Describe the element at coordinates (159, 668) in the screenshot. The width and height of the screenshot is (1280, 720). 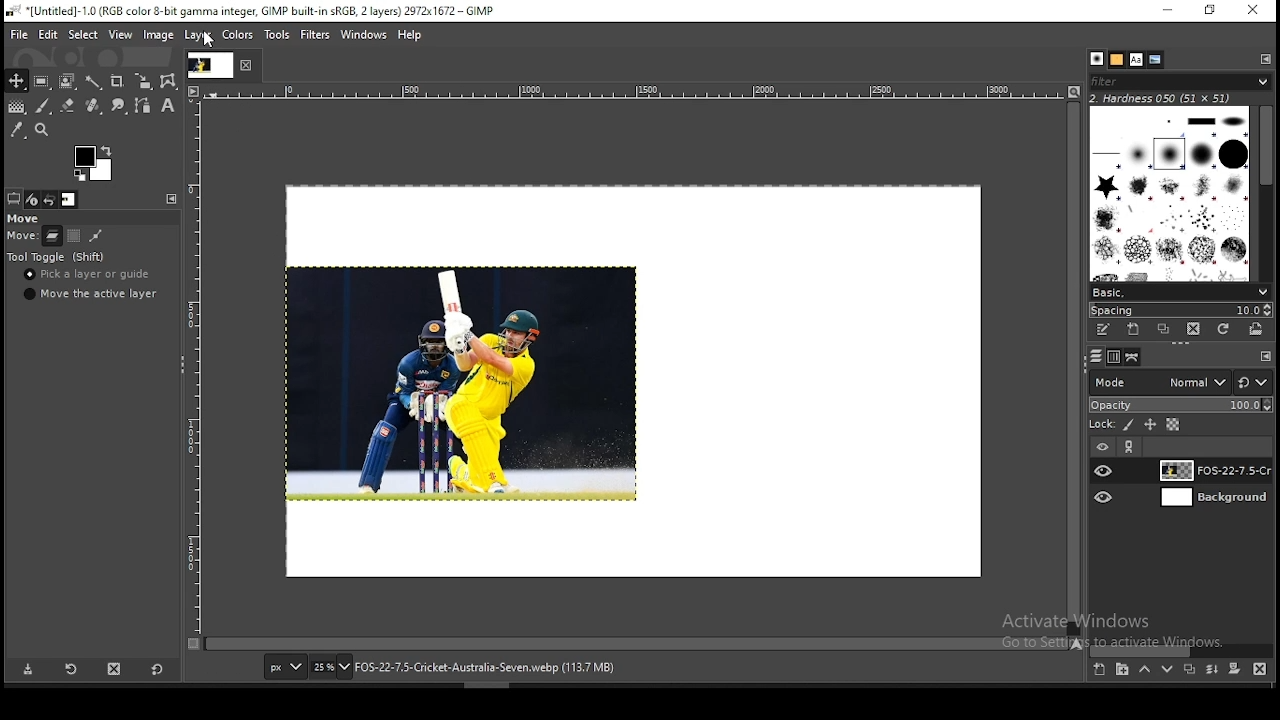
I see `restore to defaults` at that location.